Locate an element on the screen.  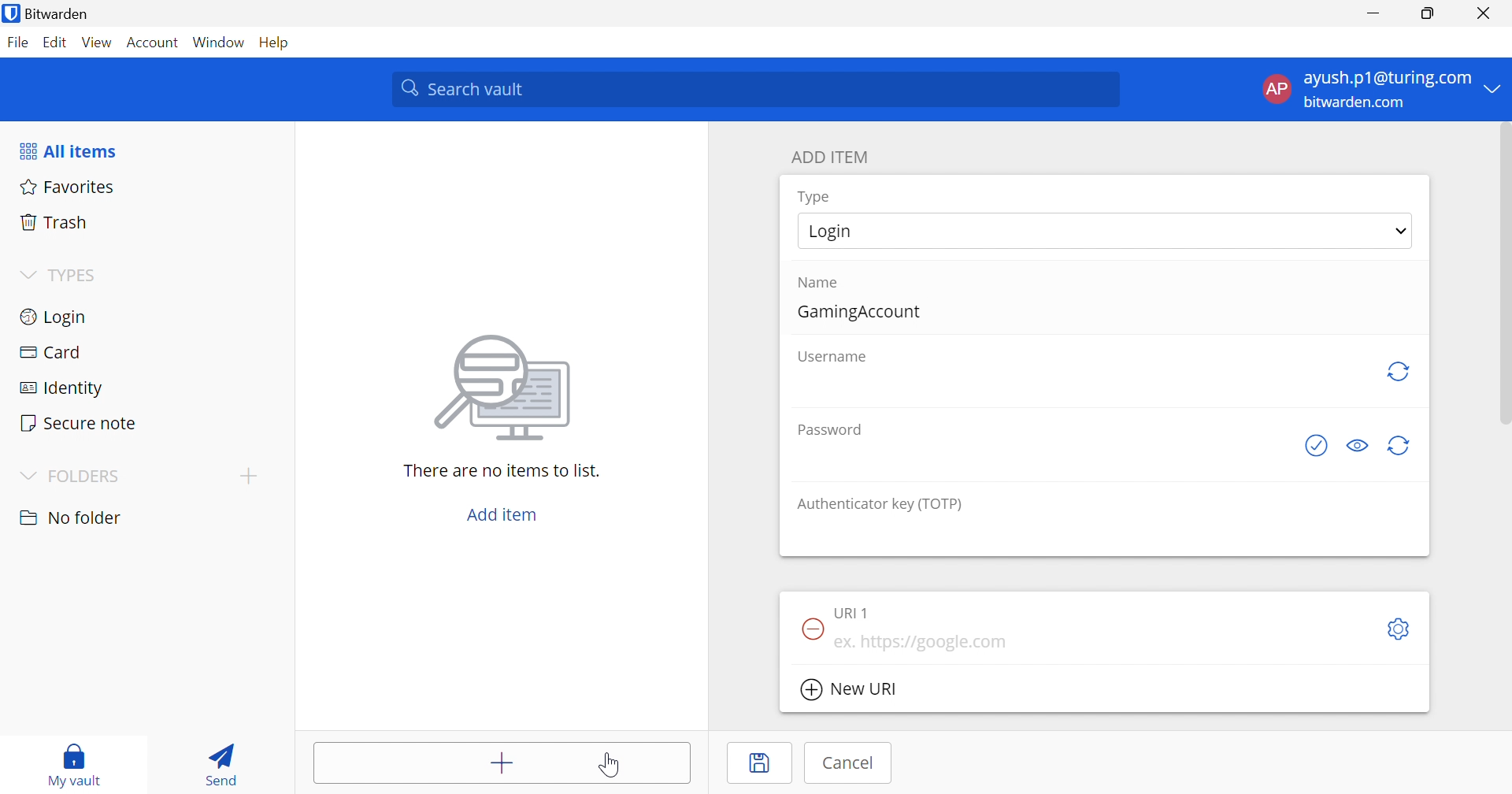
Cursor is located at coordinates (612, 765).